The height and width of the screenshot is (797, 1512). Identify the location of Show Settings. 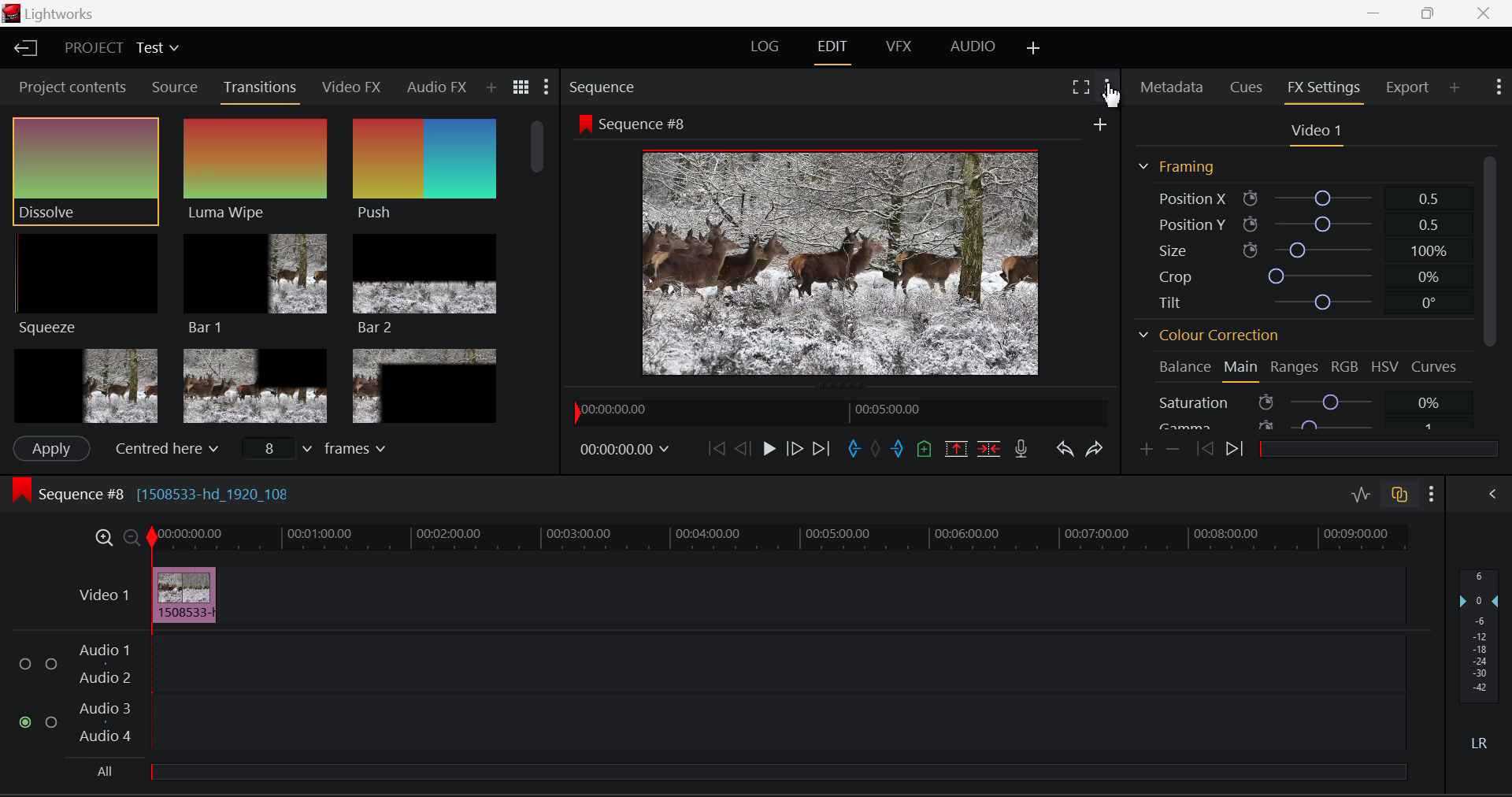
(1430, 493).